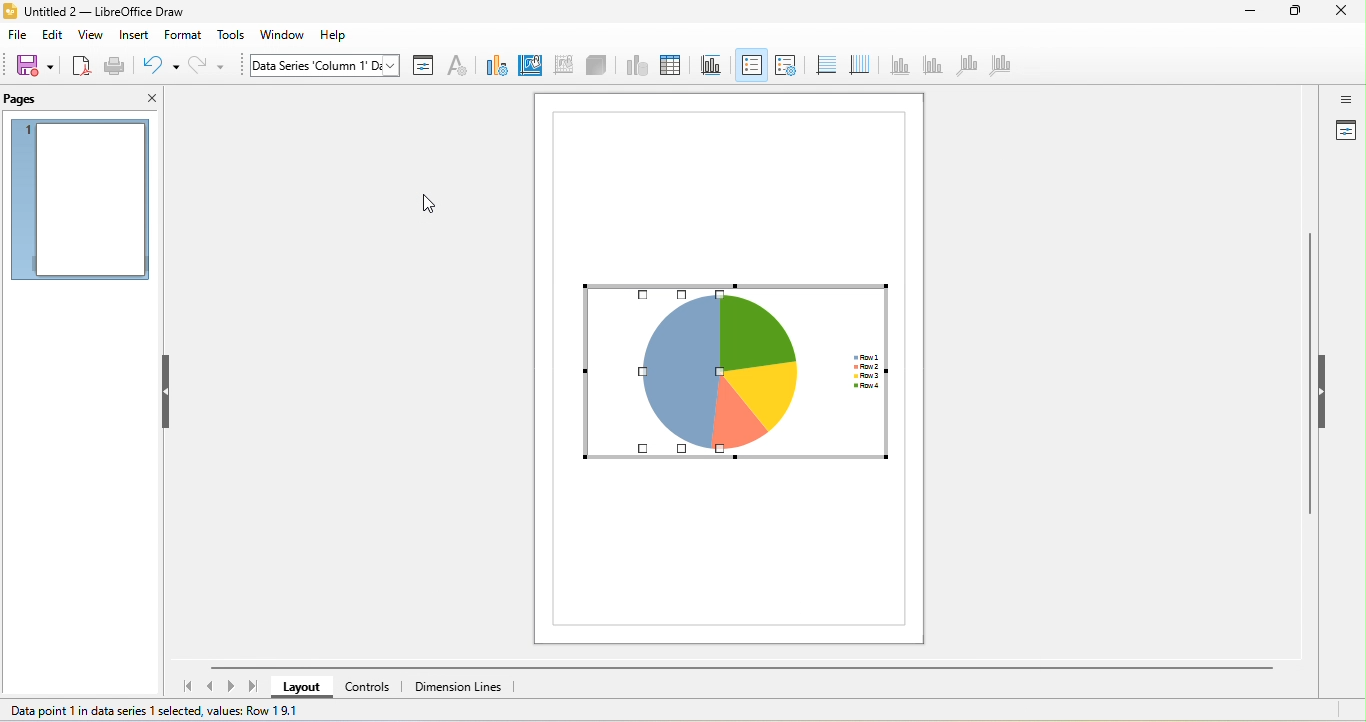  Describe the element at coordinates (729, 367) in the screenshot. I see `transparency applied to column 1 segment` at that location.